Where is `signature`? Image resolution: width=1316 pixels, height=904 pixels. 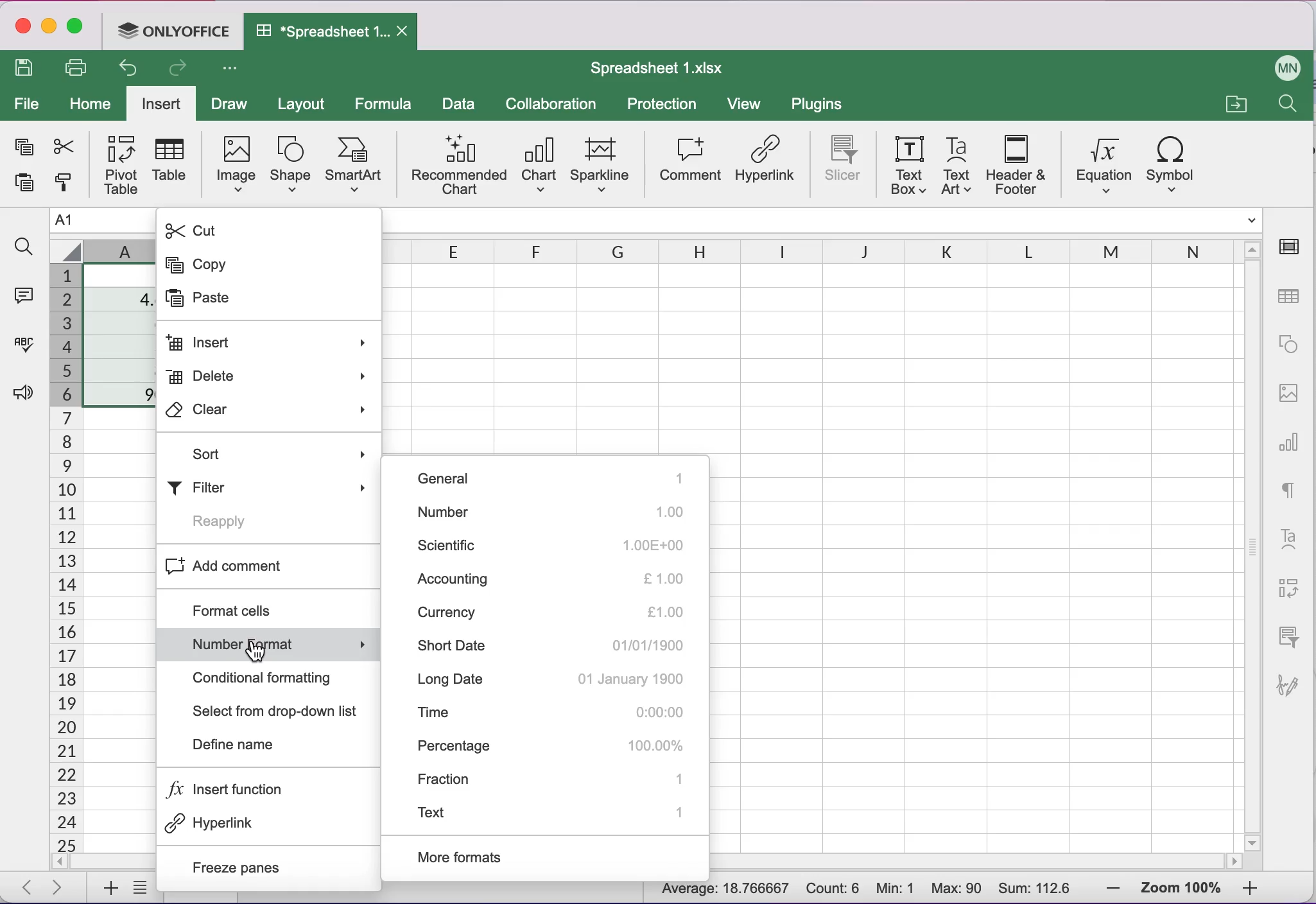
signature is located at coordinates (1290, 688).